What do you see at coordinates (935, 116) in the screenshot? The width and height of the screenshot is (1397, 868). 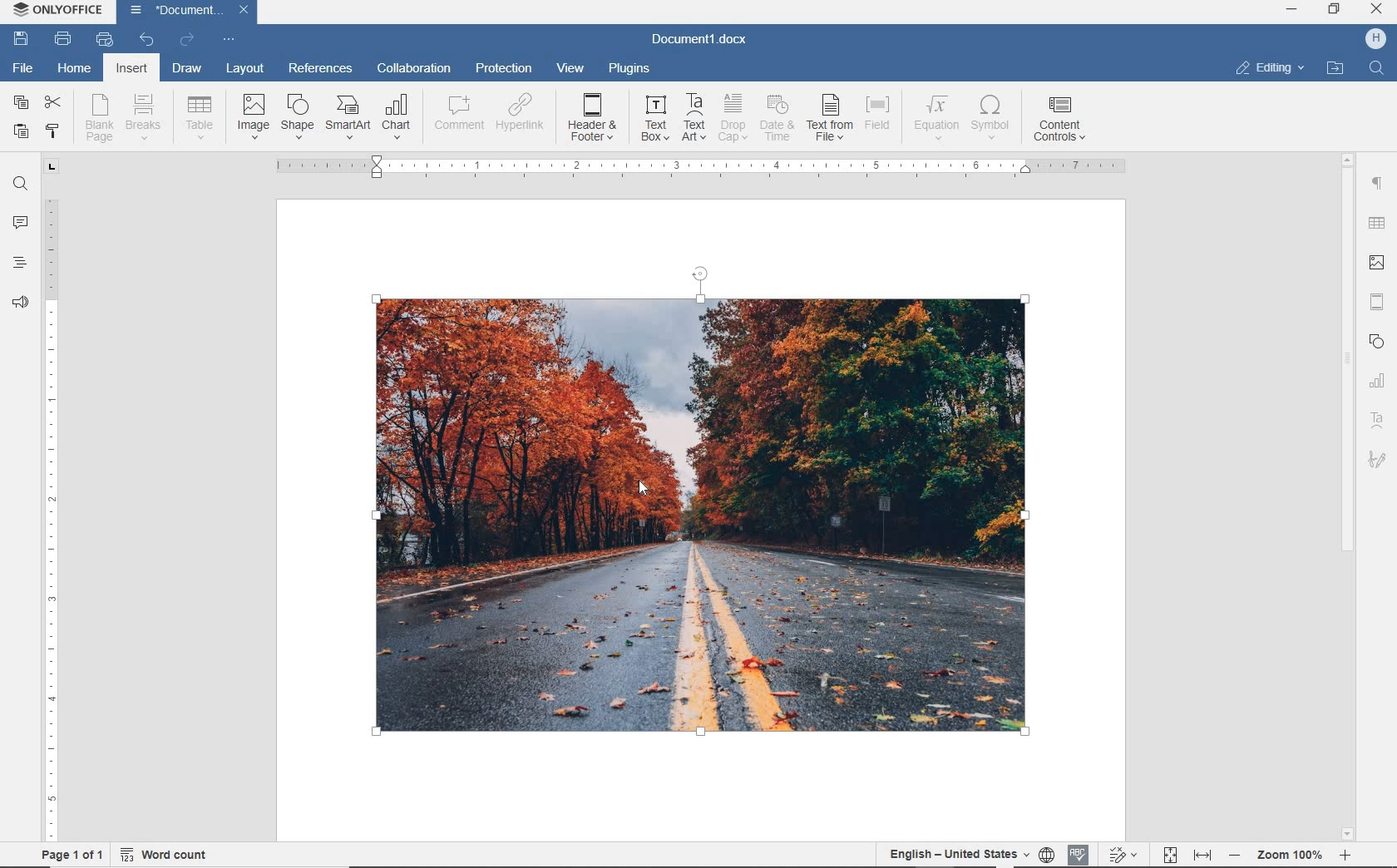 I see `equation` at bounding box center [935, 116].